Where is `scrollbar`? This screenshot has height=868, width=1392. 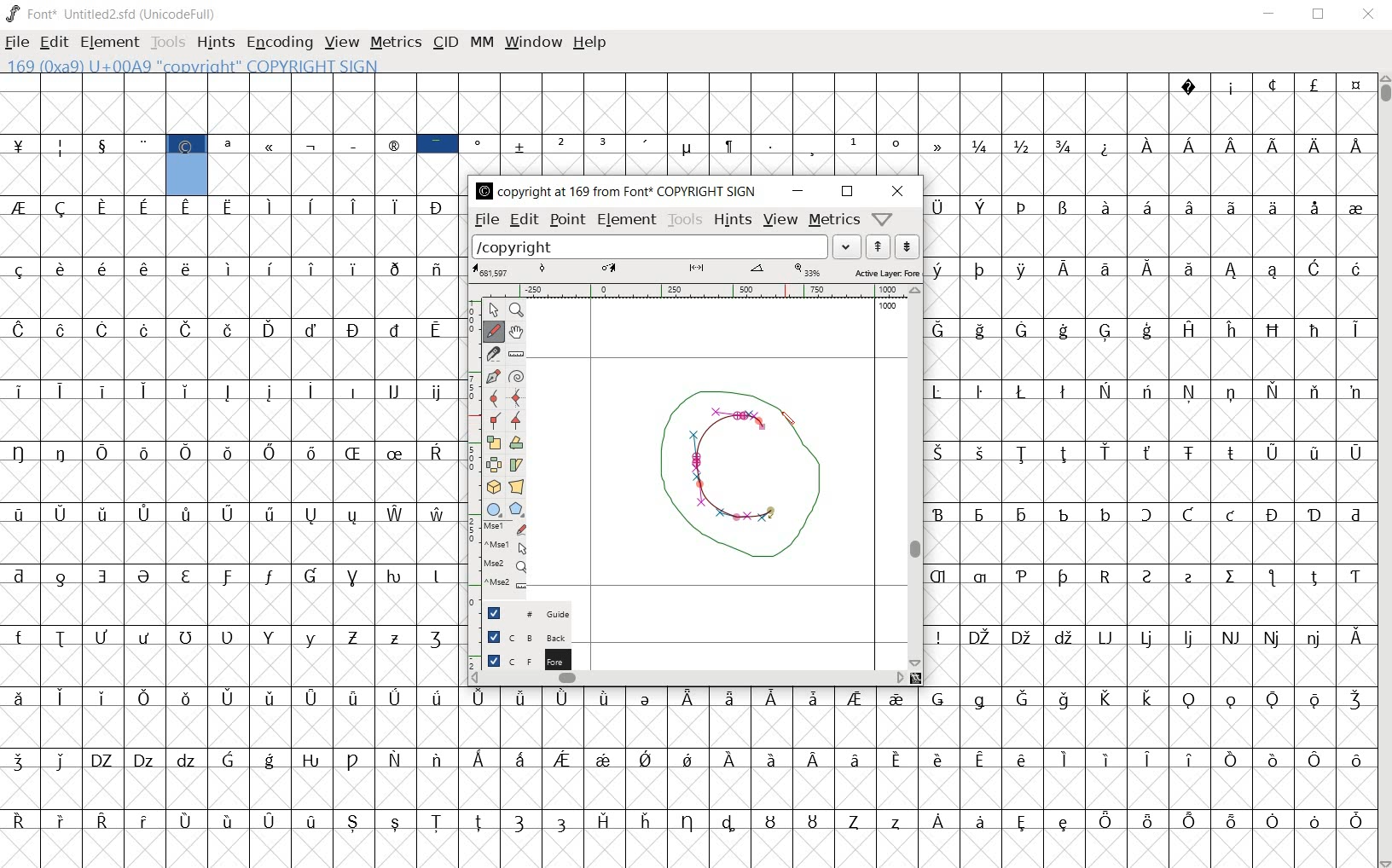
scrollbar is located at coordinates (687, 677).